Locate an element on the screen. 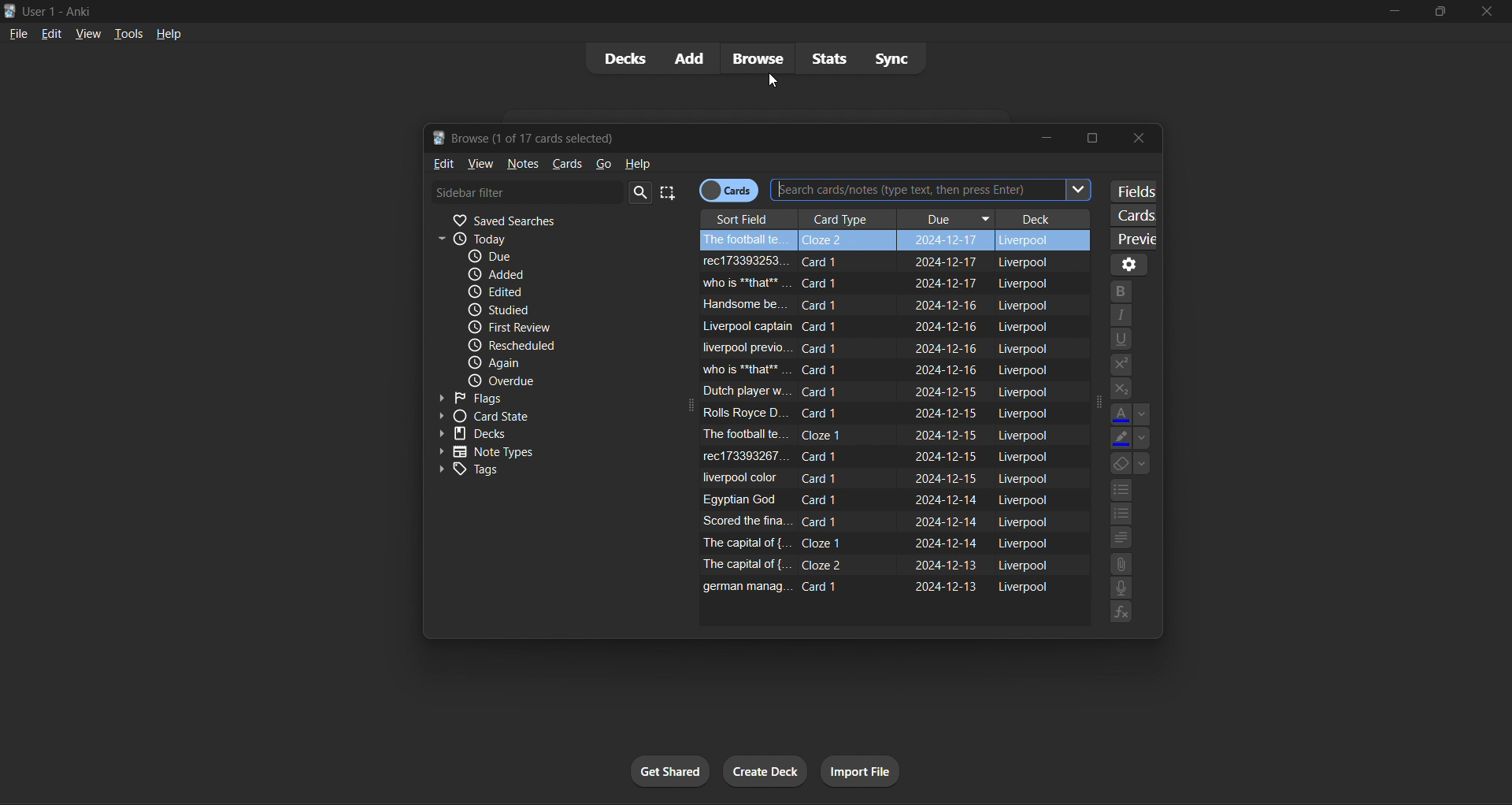  options is located at coordinates (1133, 265).